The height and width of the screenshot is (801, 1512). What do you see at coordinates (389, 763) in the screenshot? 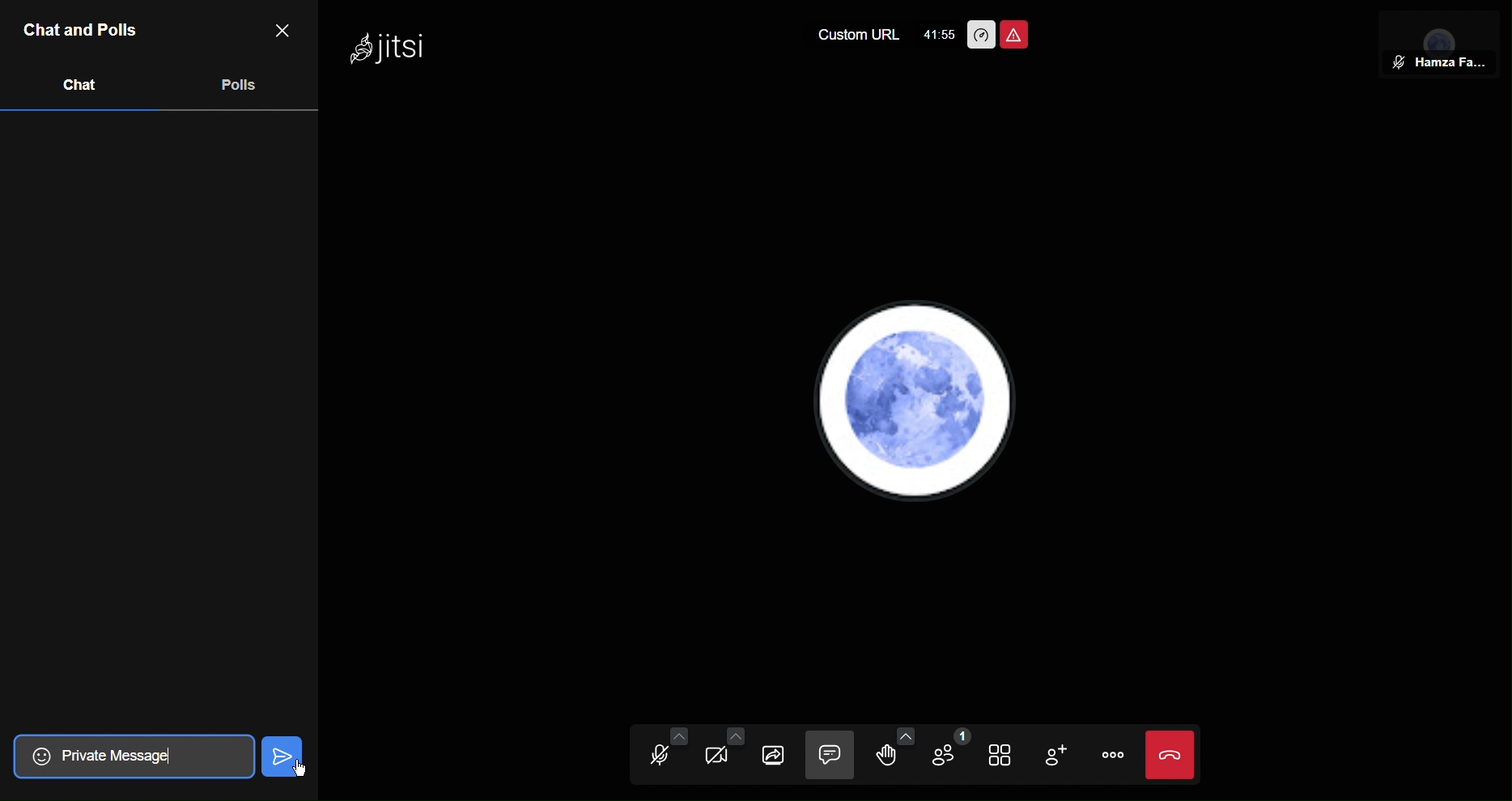
I see `Cursor` at bounding box center [389, 763].